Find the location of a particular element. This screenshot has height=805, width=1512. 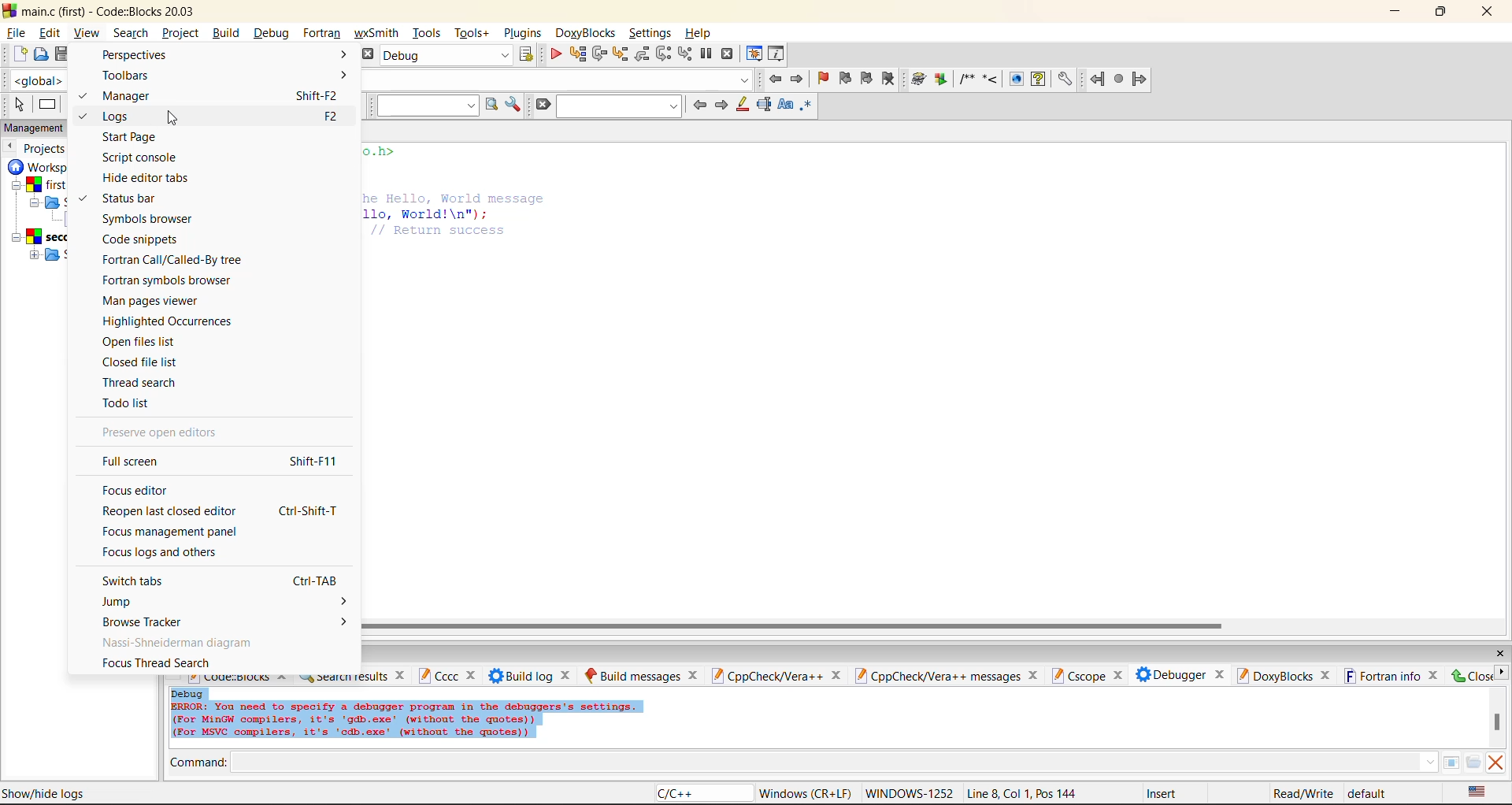

symbols browser is located at coordinates (151, 218).